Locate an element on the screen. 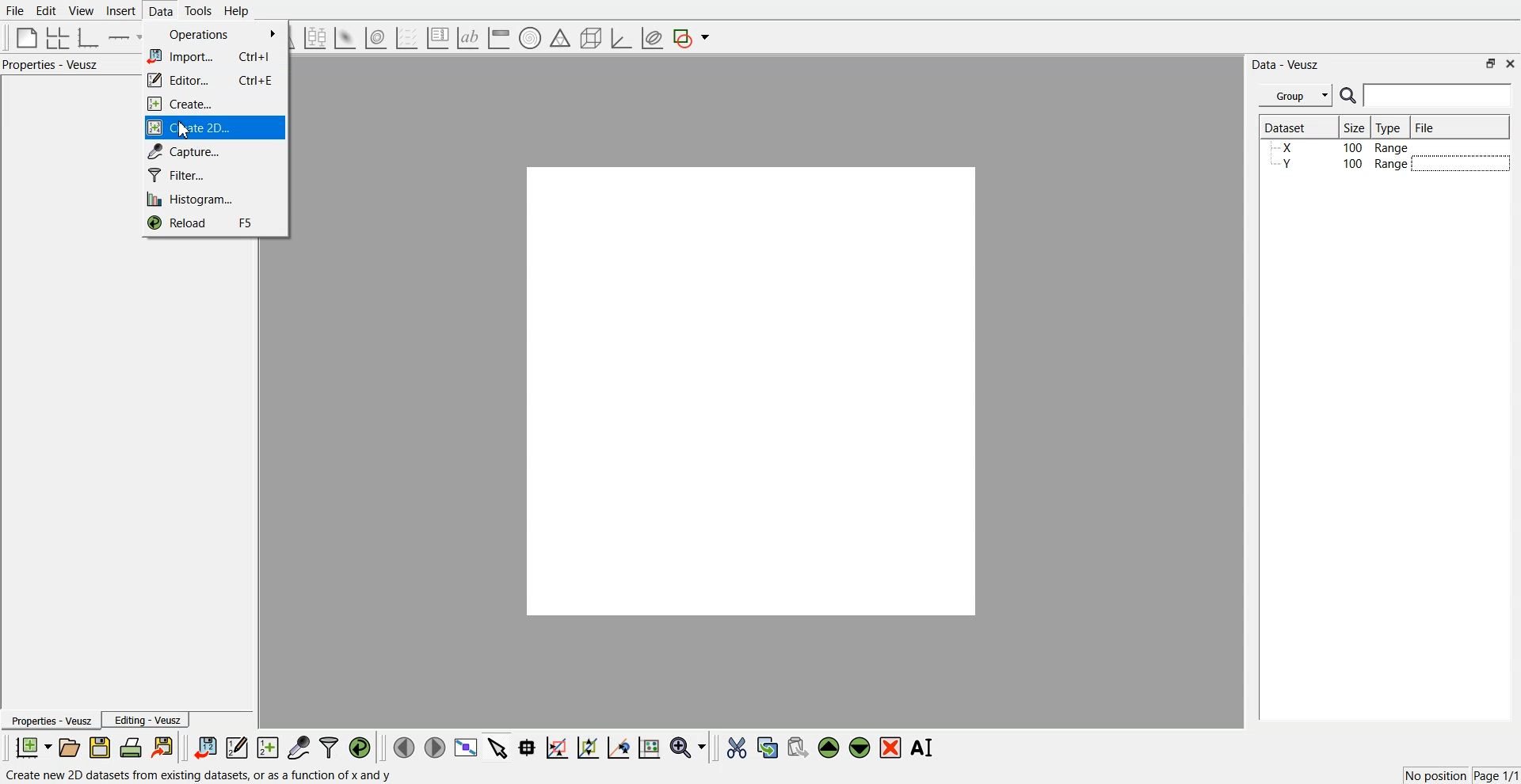 Image resolution: width=1521 pixels, height=784 pixels. Insert is located at coordinates (120, 10).